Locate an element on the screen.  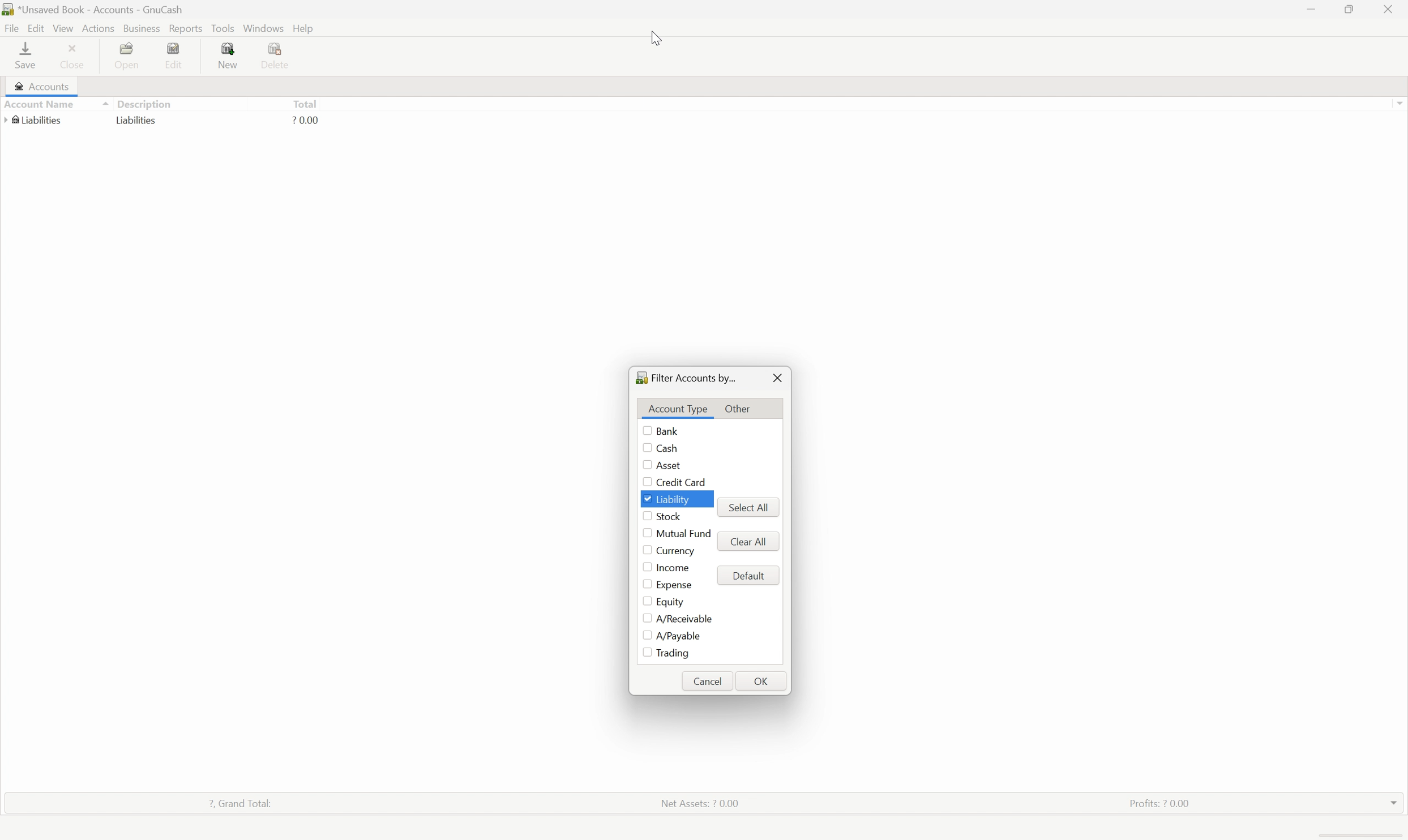
save is located at coordinates (27, 54).